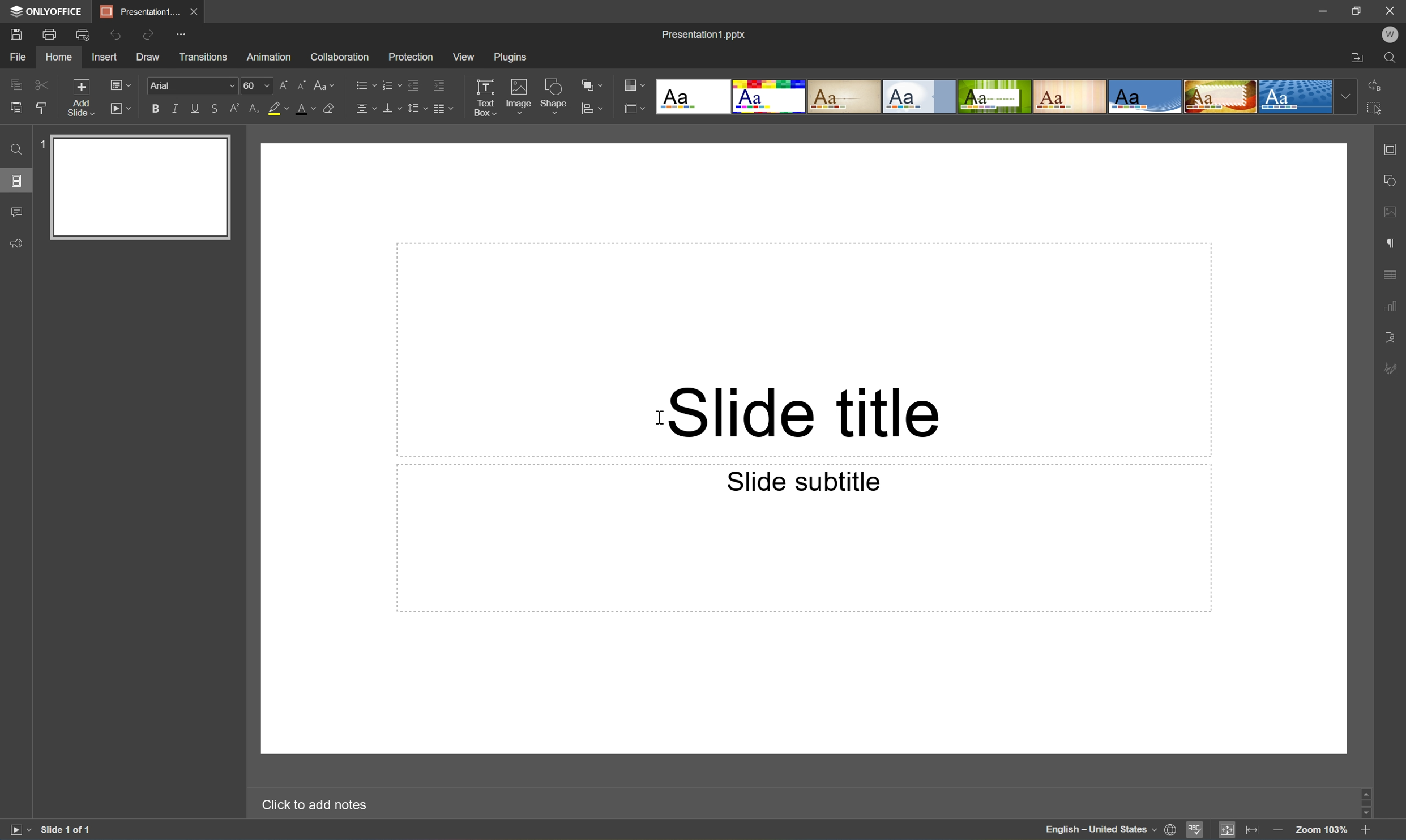 This screenshot has height=840, width=1406. What do you see at coordinates (16, 106) in the screenshot?
I see `Paste` at bounding box center [16, 106].